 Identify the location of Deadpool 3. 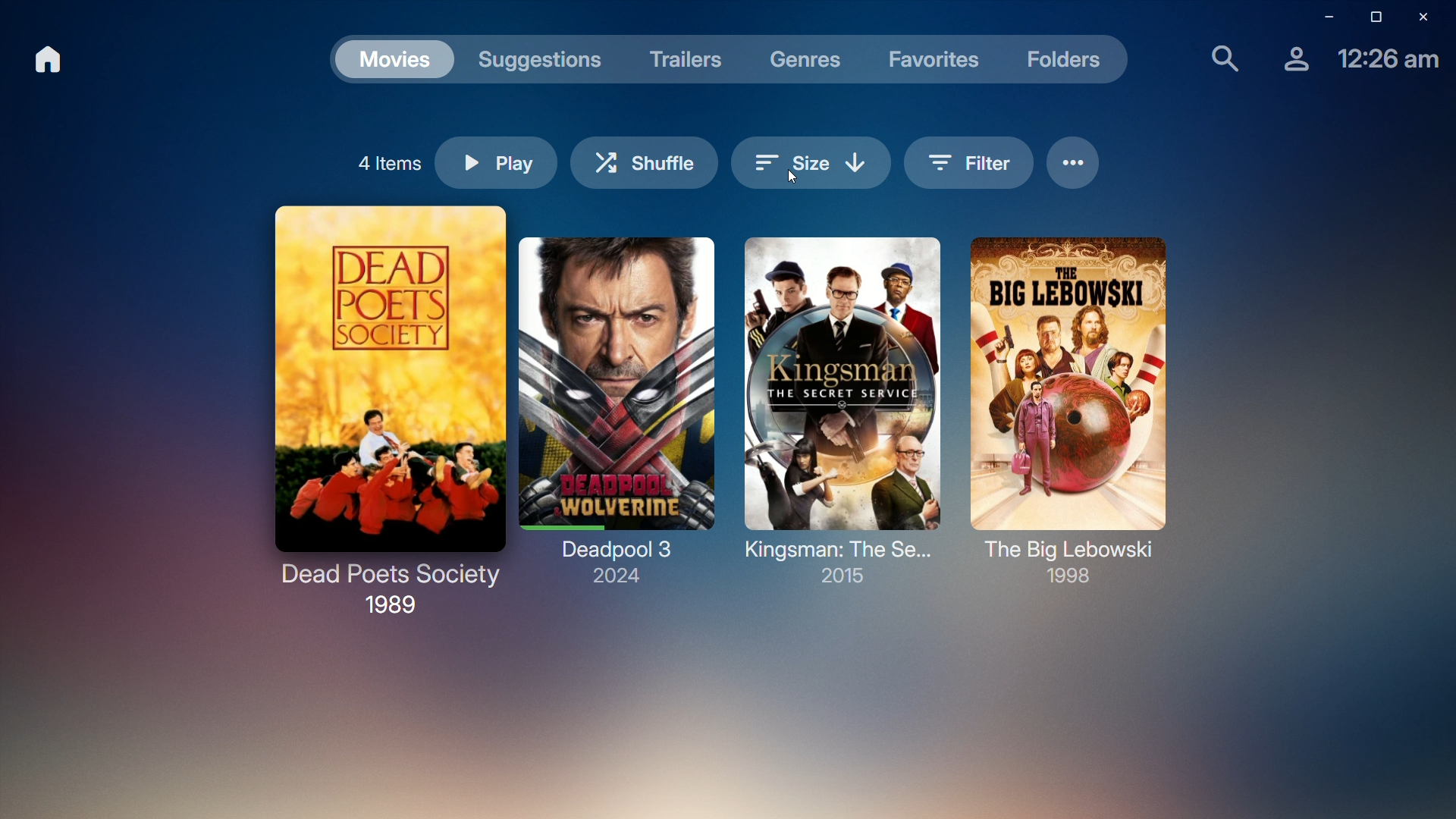
(617, 409).